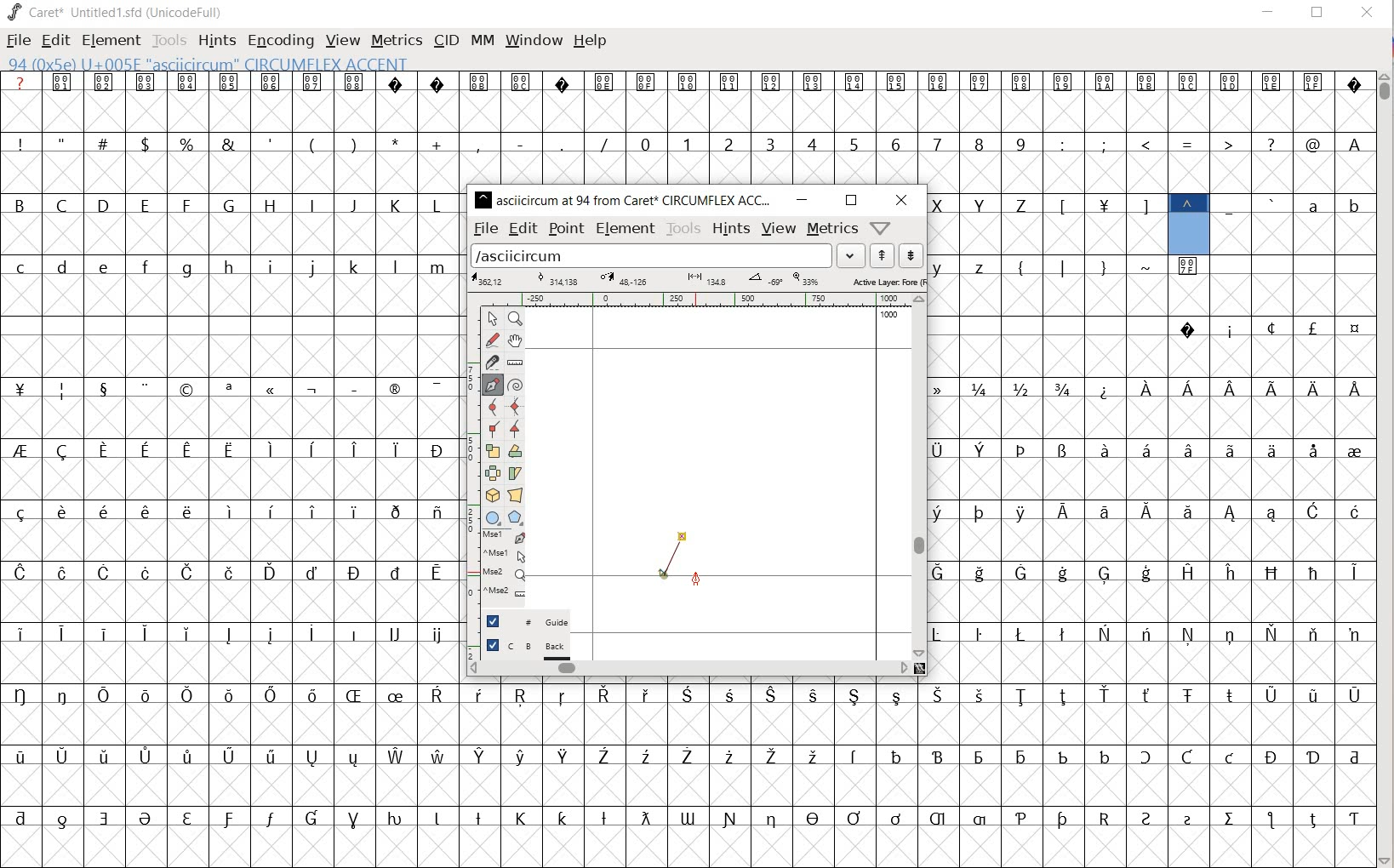 The height and width of the screenshot is (868, 1394). Describe the element at coordinates (901, 200) in the screenshot. I see `close` at that location.